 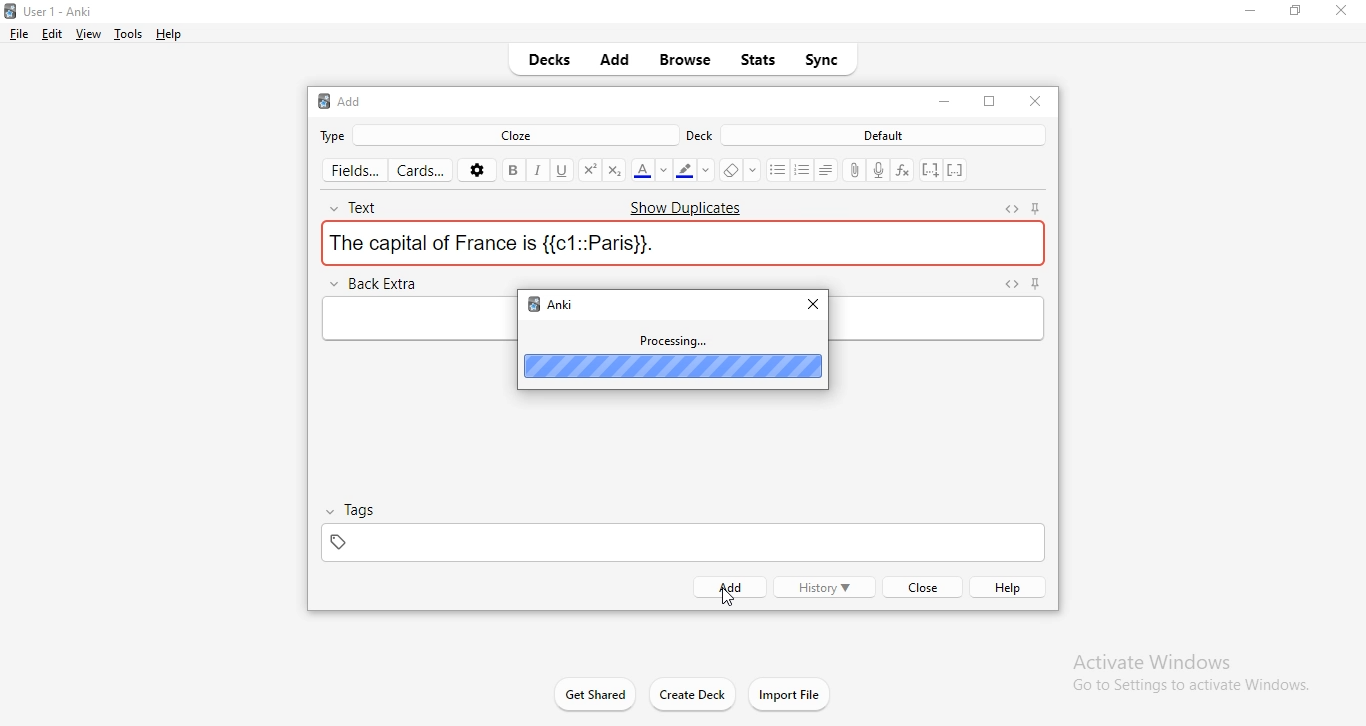 I want to click on tools, so click(x=128, y=36).